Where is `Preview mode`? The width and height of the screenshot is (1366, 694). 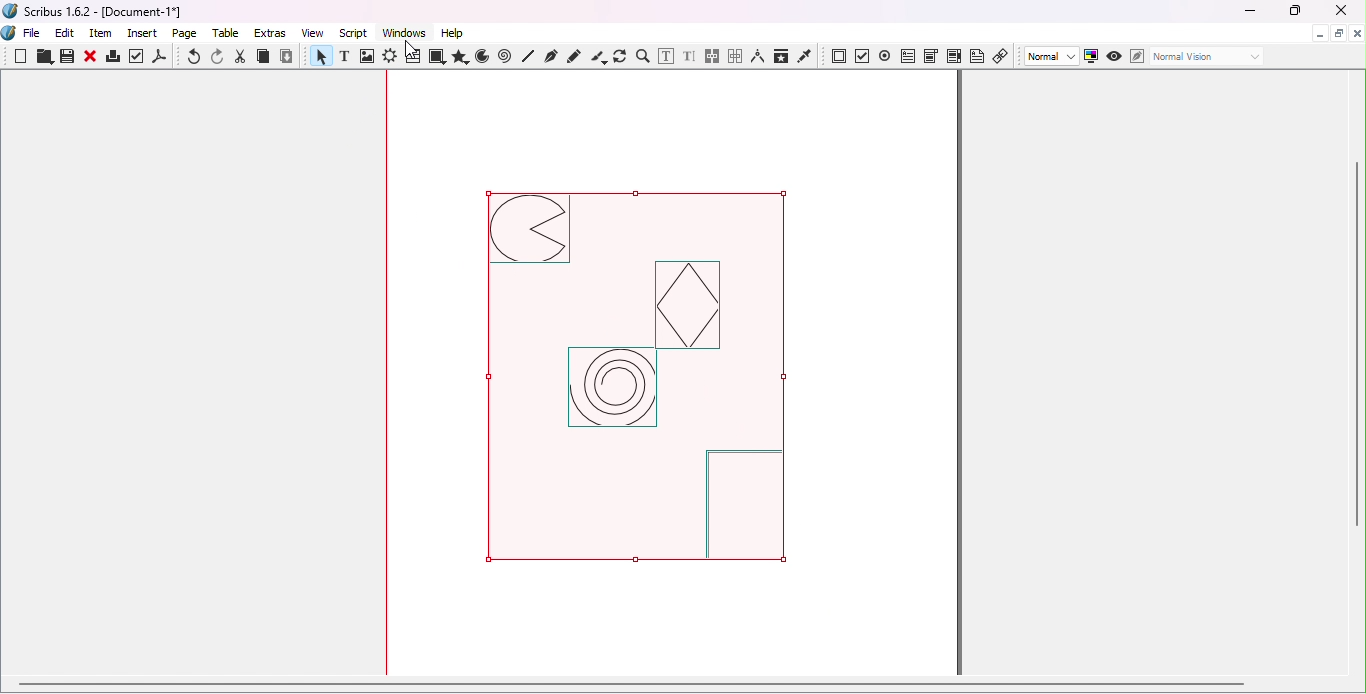
Preview mode is located at coordinates (1115, 57).